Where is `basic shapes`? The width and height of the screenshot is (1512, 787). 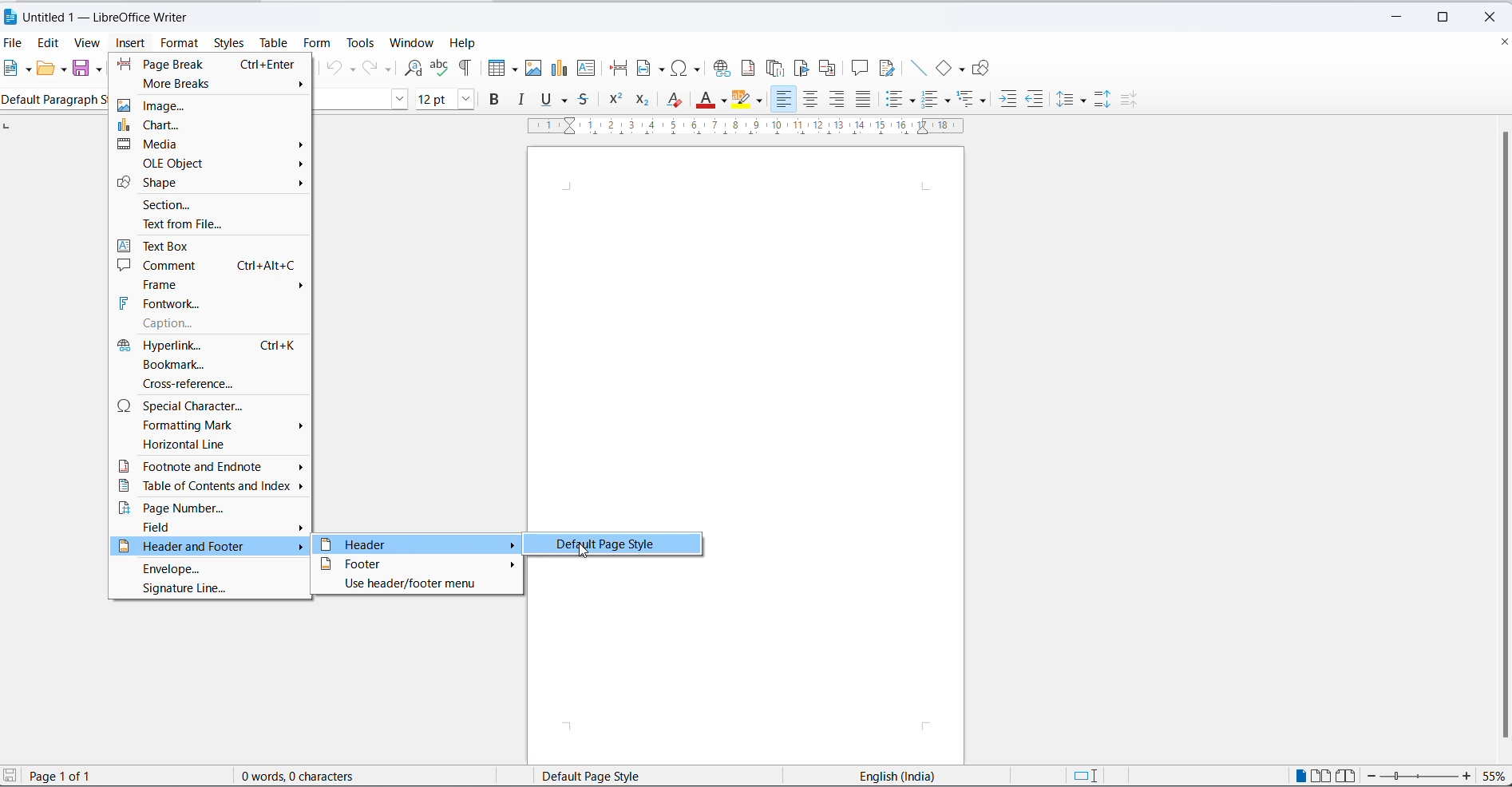 basic shapes is located at coordinates (962, 70).